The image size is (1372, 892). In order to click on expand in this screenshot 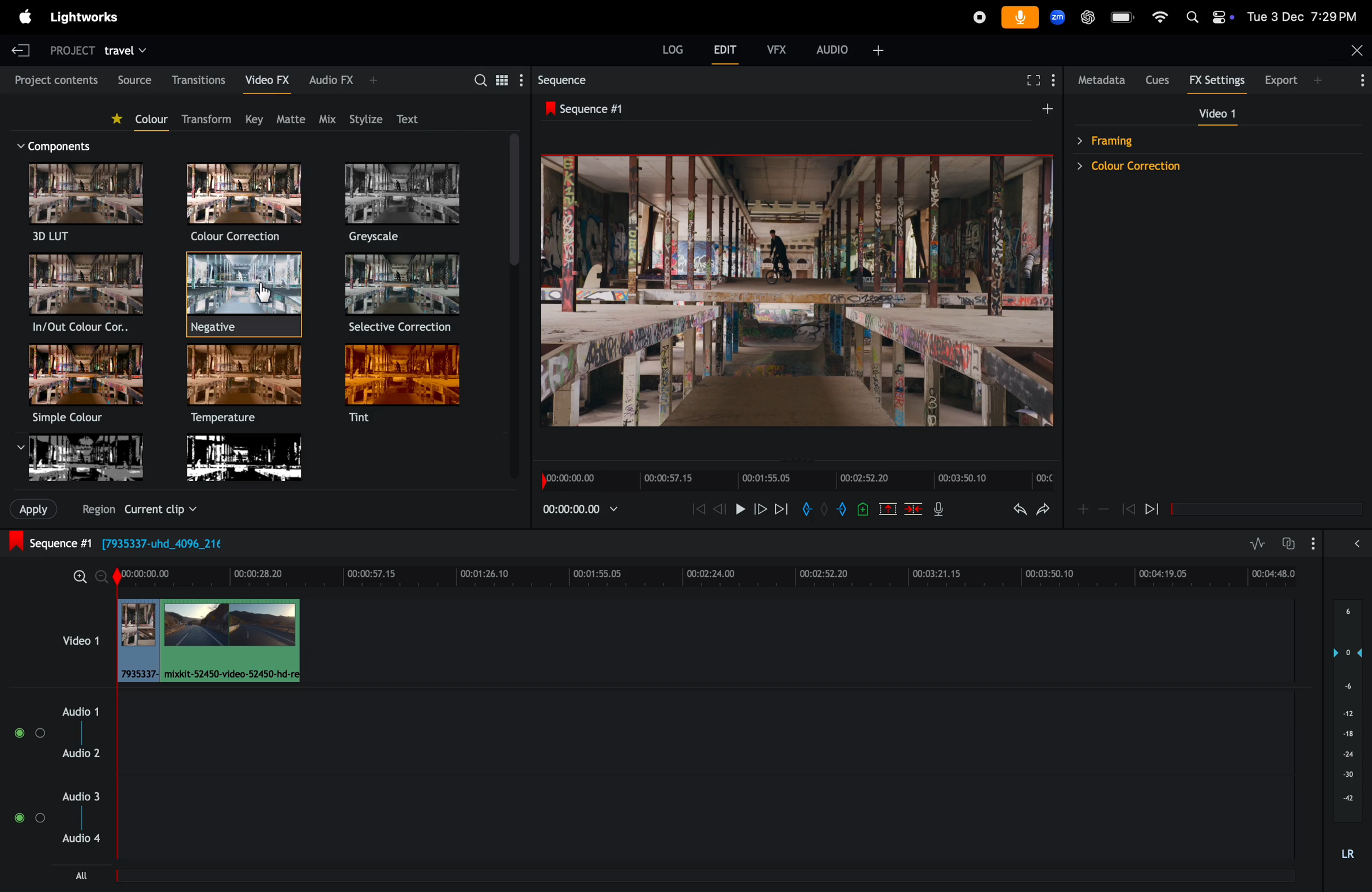, I will do `click(1354, 544)`.